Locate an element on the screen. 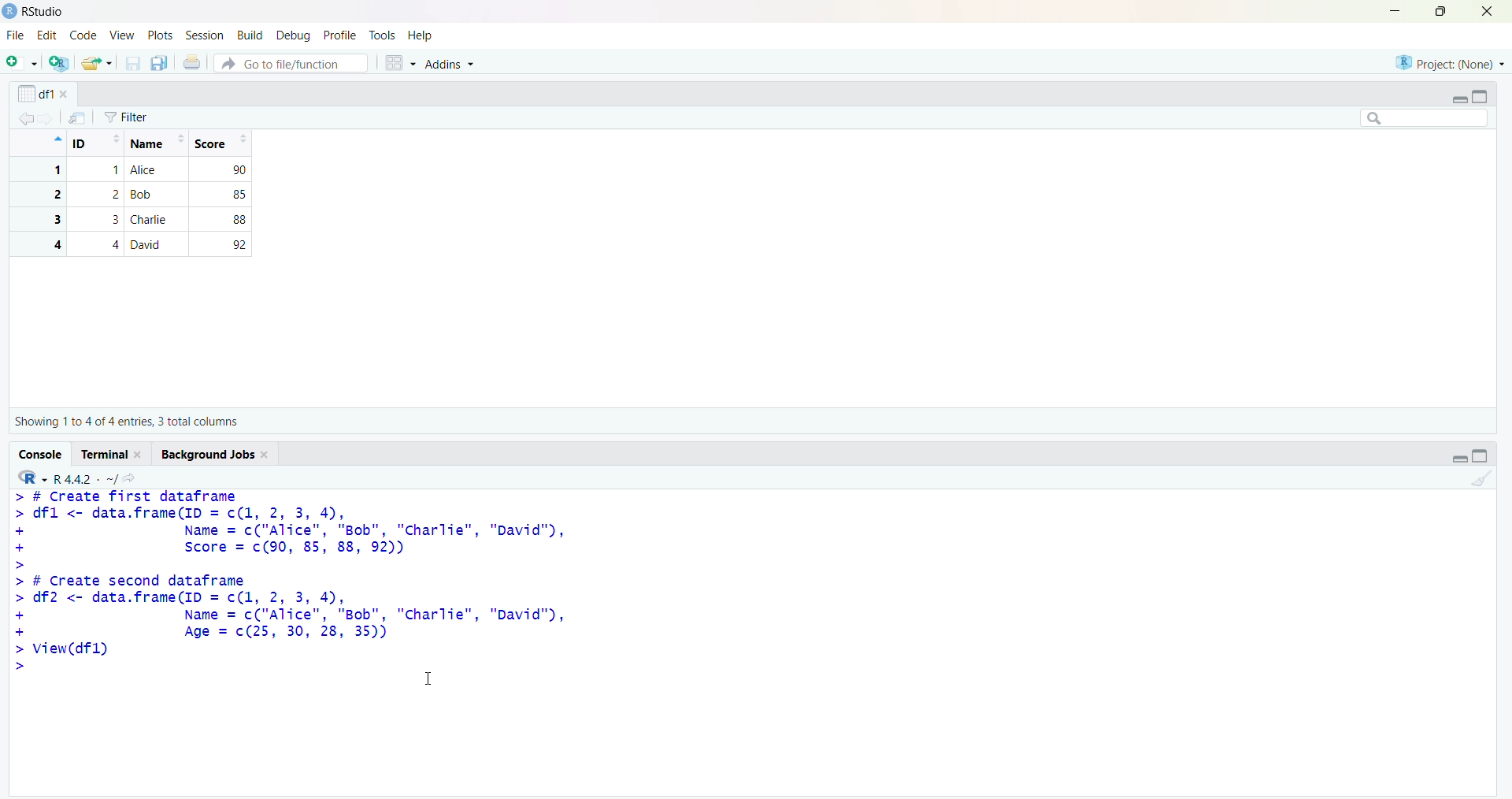 Image resolution: width=1512 pixels, height=799 pixels. grid is located at coordinates (401, 63).